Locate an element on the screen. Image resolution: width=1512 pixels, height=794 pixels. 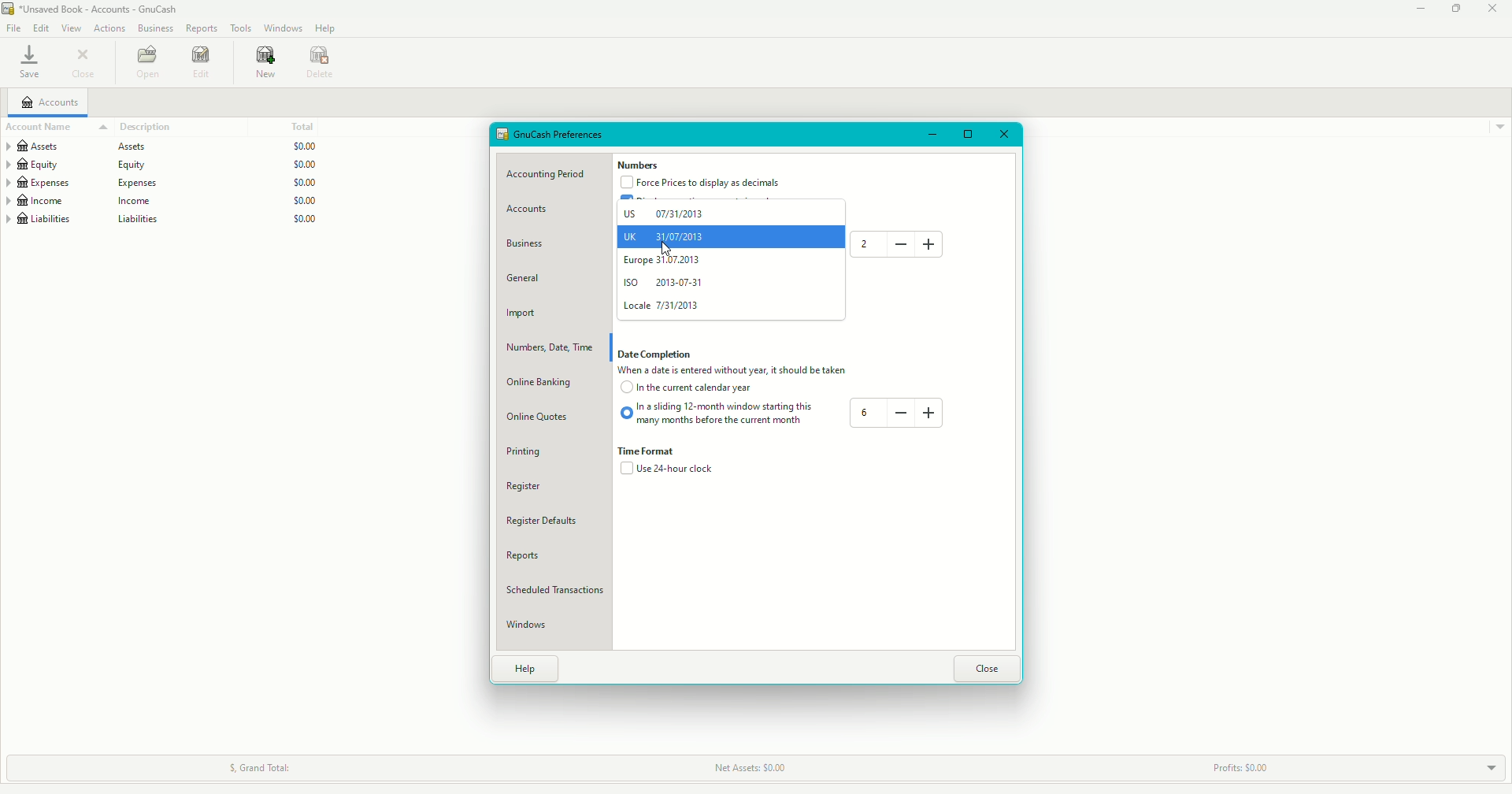
Equity is located at coordinates (162, 165).